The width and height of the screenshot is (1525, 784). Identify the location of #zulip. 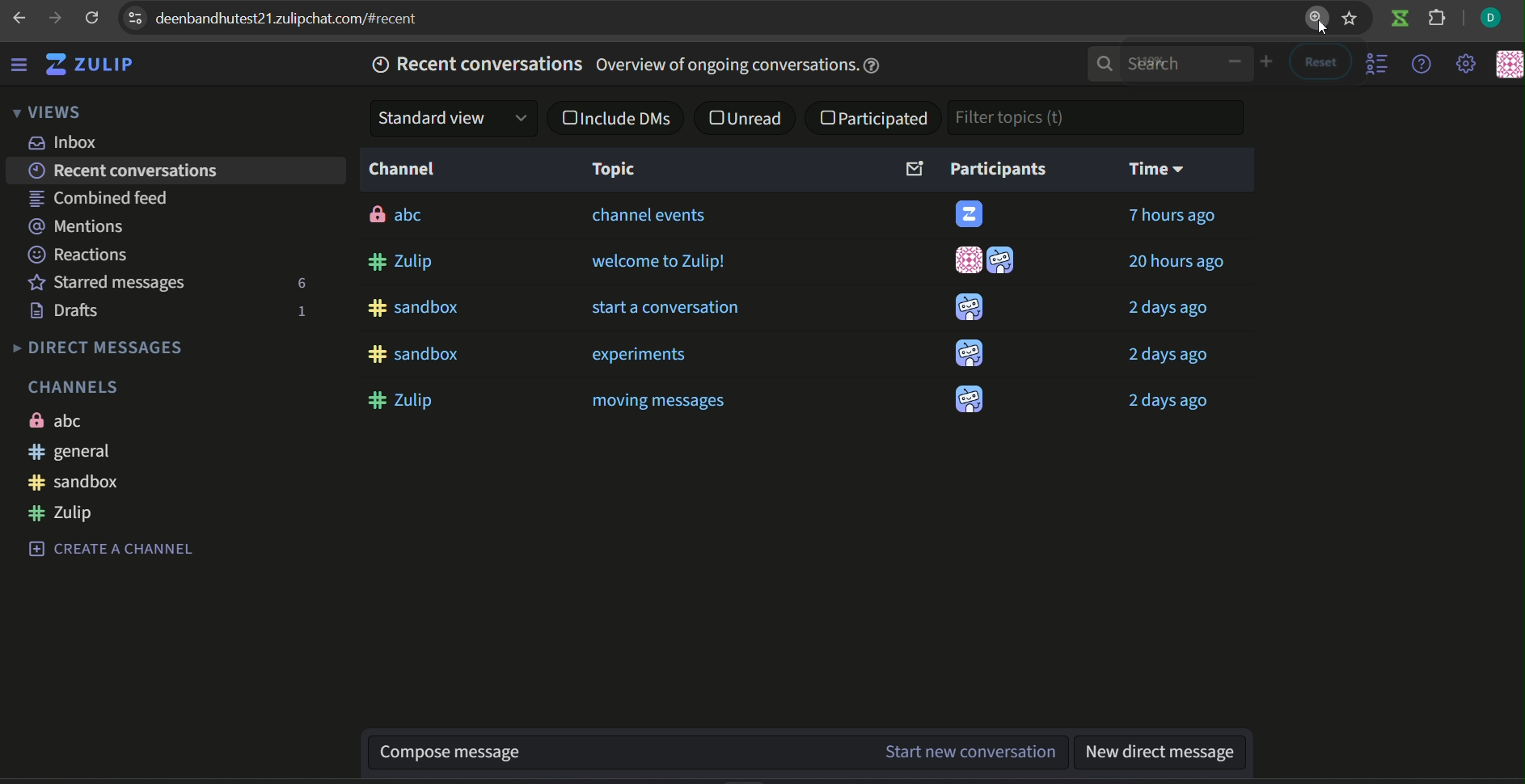
(67, 513).